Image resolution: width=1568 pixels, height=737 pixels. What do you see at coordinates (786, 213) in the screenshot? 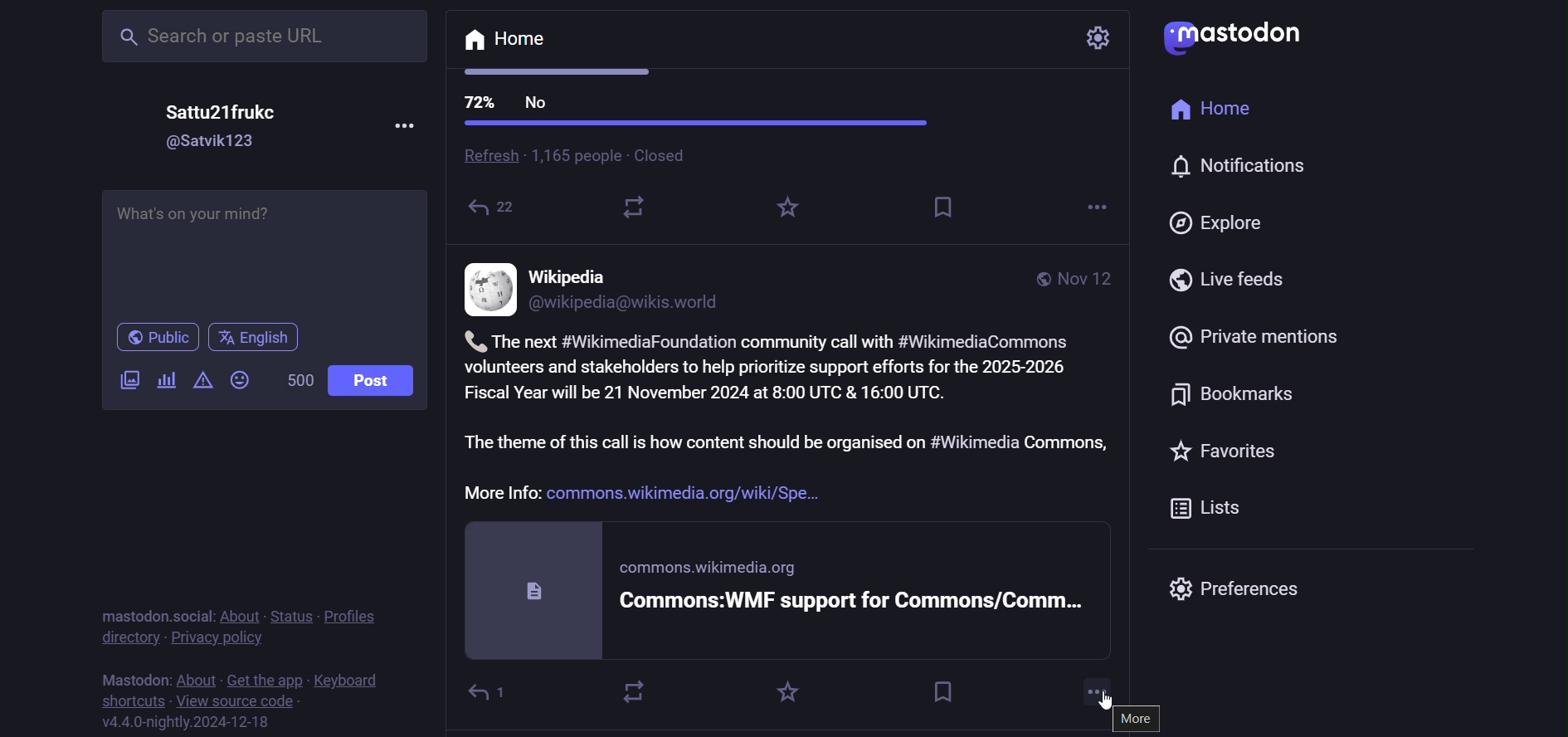
I see `highlight` at bounding box center [786, 213].